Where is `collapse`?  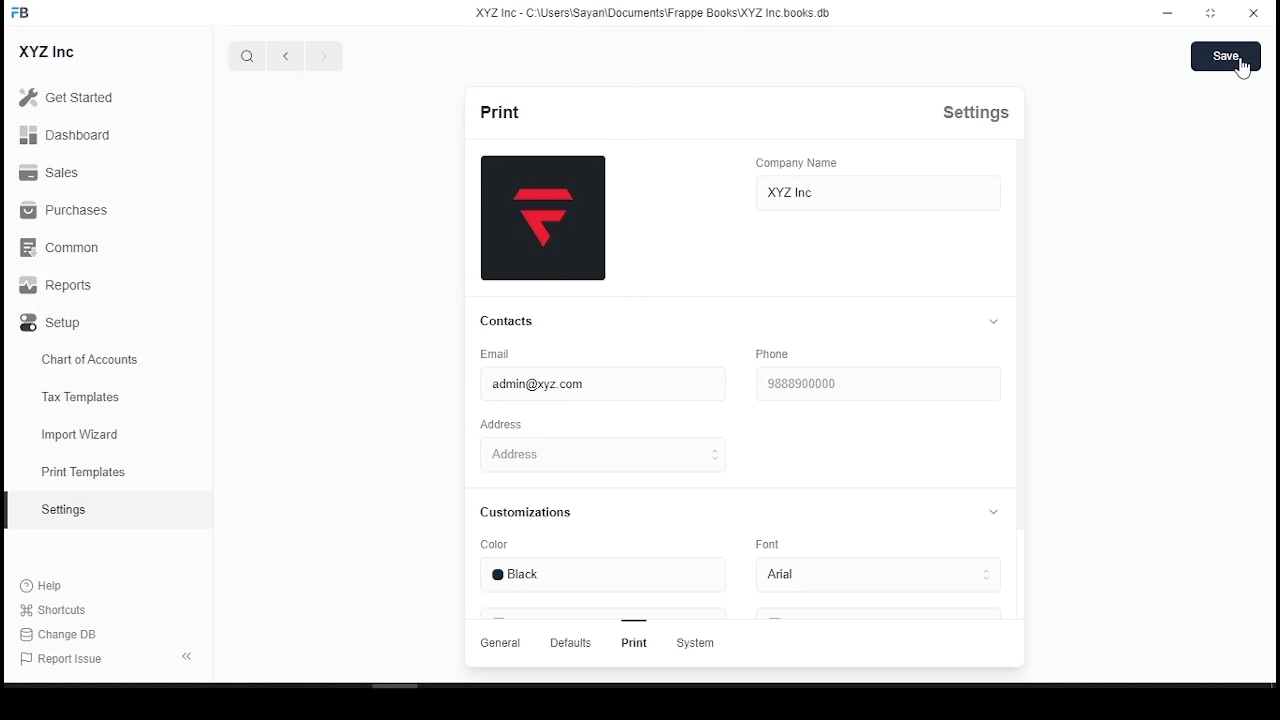 collapse is located at coordinates (994, 321).